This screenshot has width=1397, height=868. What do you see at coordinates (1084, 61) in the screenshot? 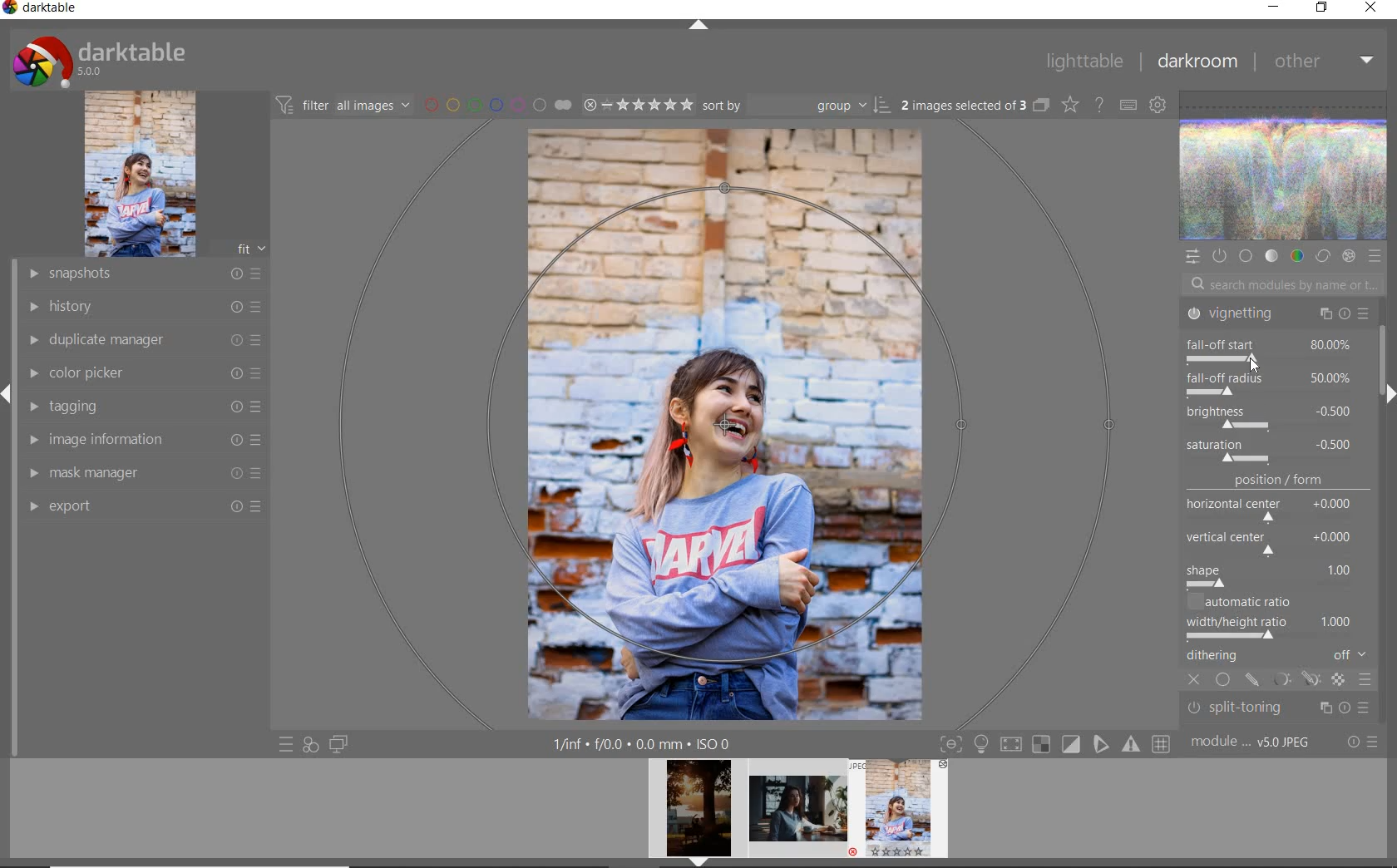
I see `LIGHTTABLE` at bounding box center [1084, 61].